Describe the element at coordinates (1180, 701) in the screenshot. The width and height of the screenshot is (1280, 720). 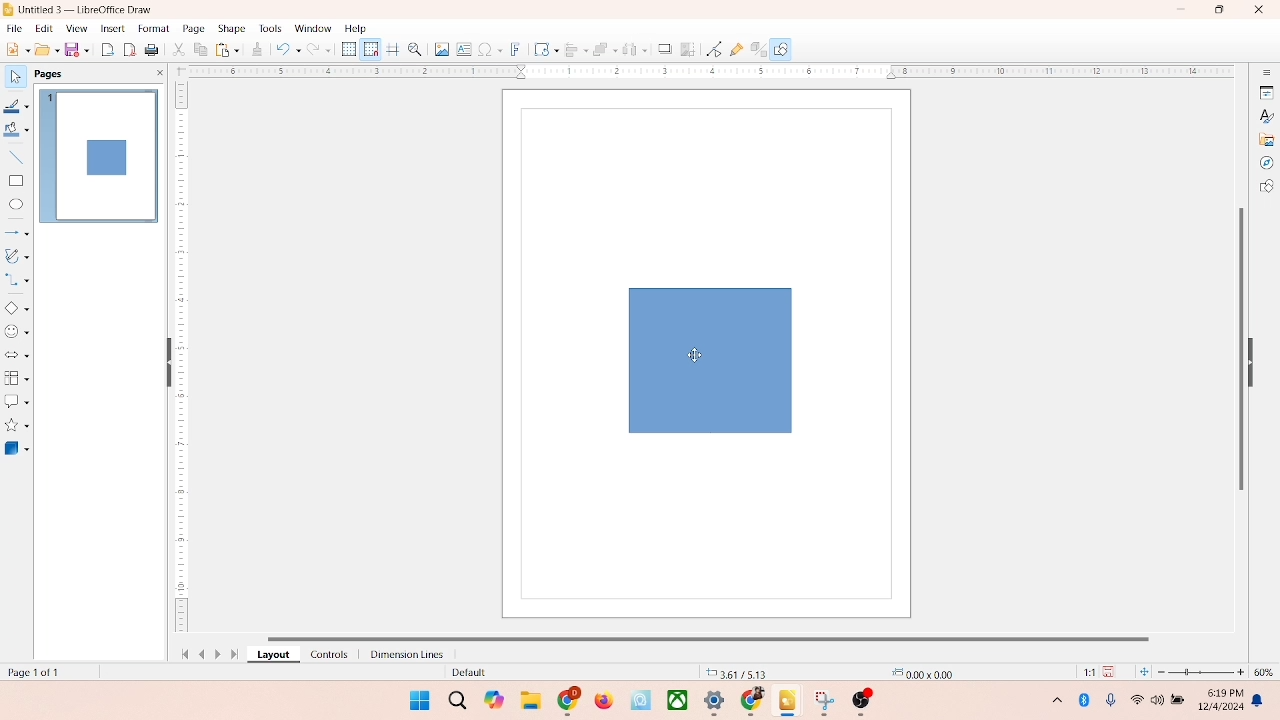
I see `battery` at that location.